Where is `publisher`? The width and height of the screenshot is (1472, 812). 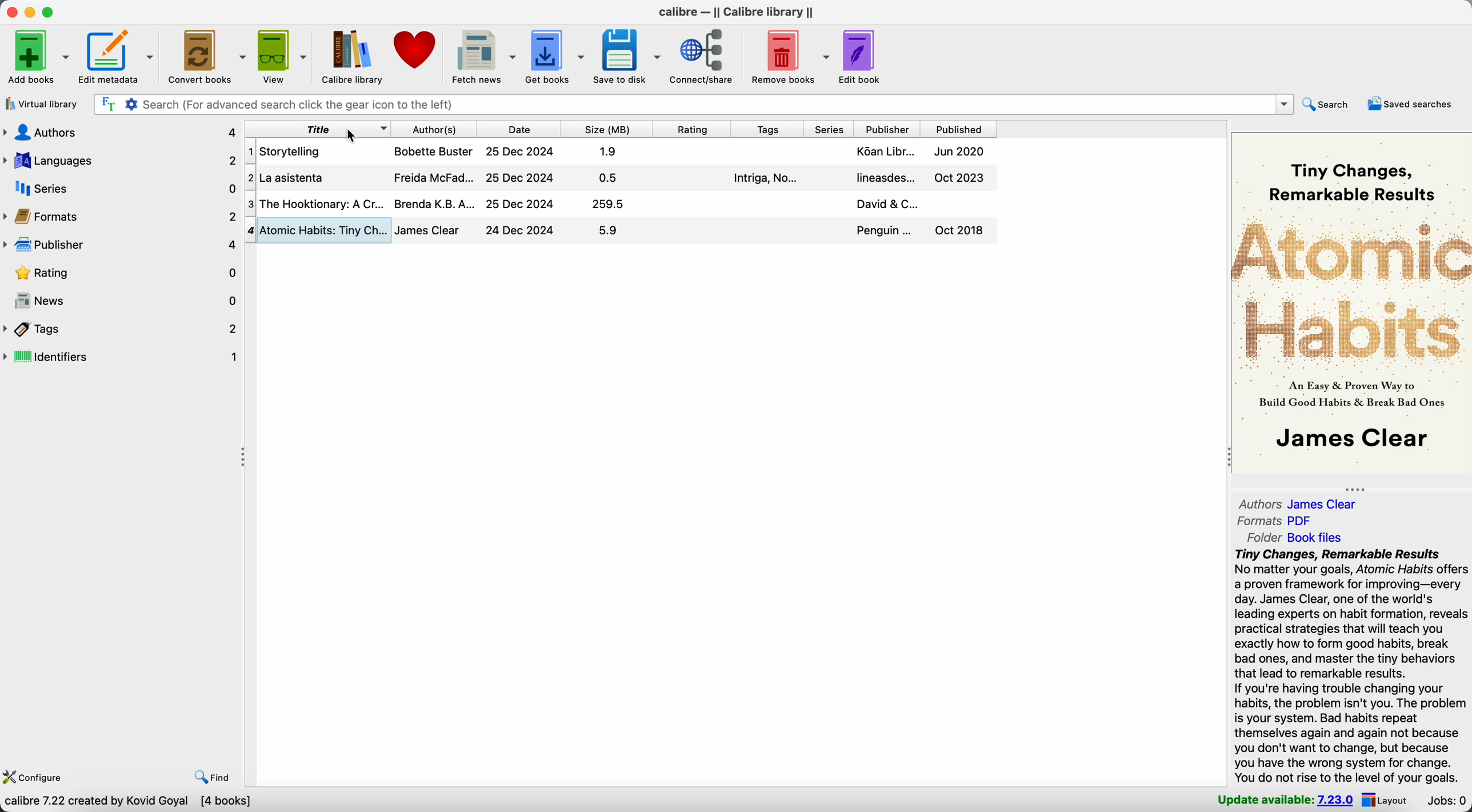 publisher is located at coordinates (121, 247).